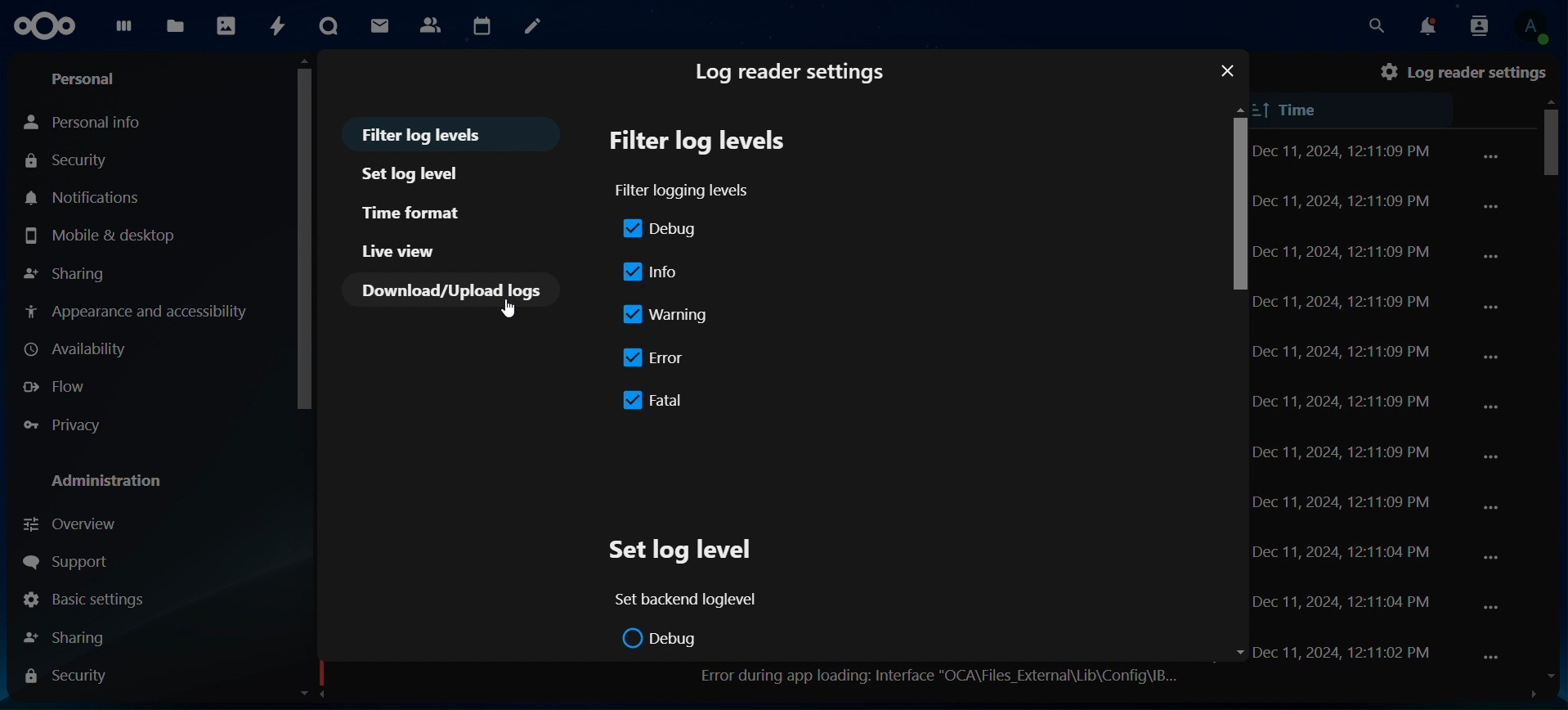 The height and width of the screenshot is (710, 1568). I want to click on warning, so click(674, 314).